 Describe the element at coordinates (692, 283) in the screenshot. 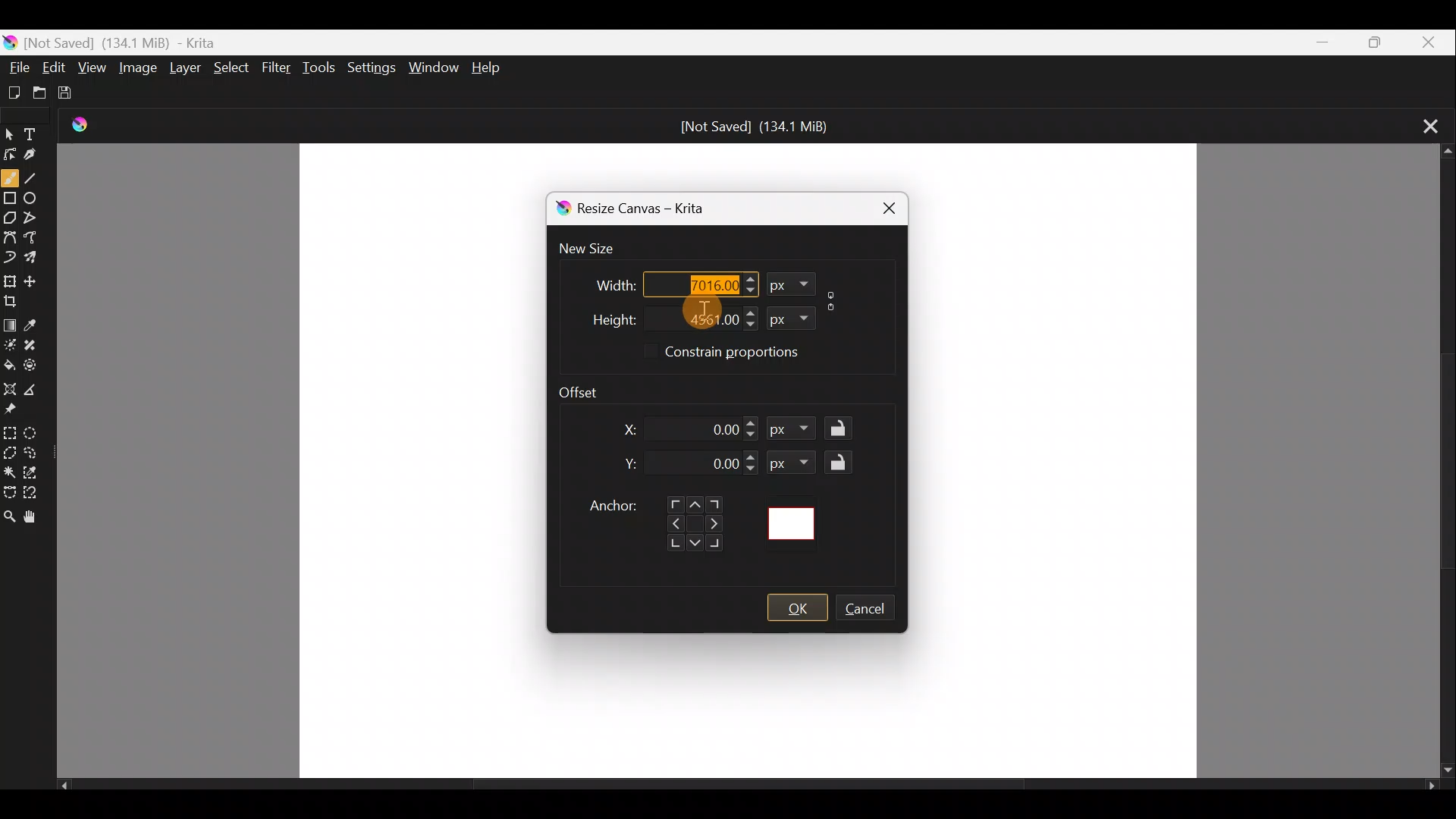

I see `7016.00` at that location.